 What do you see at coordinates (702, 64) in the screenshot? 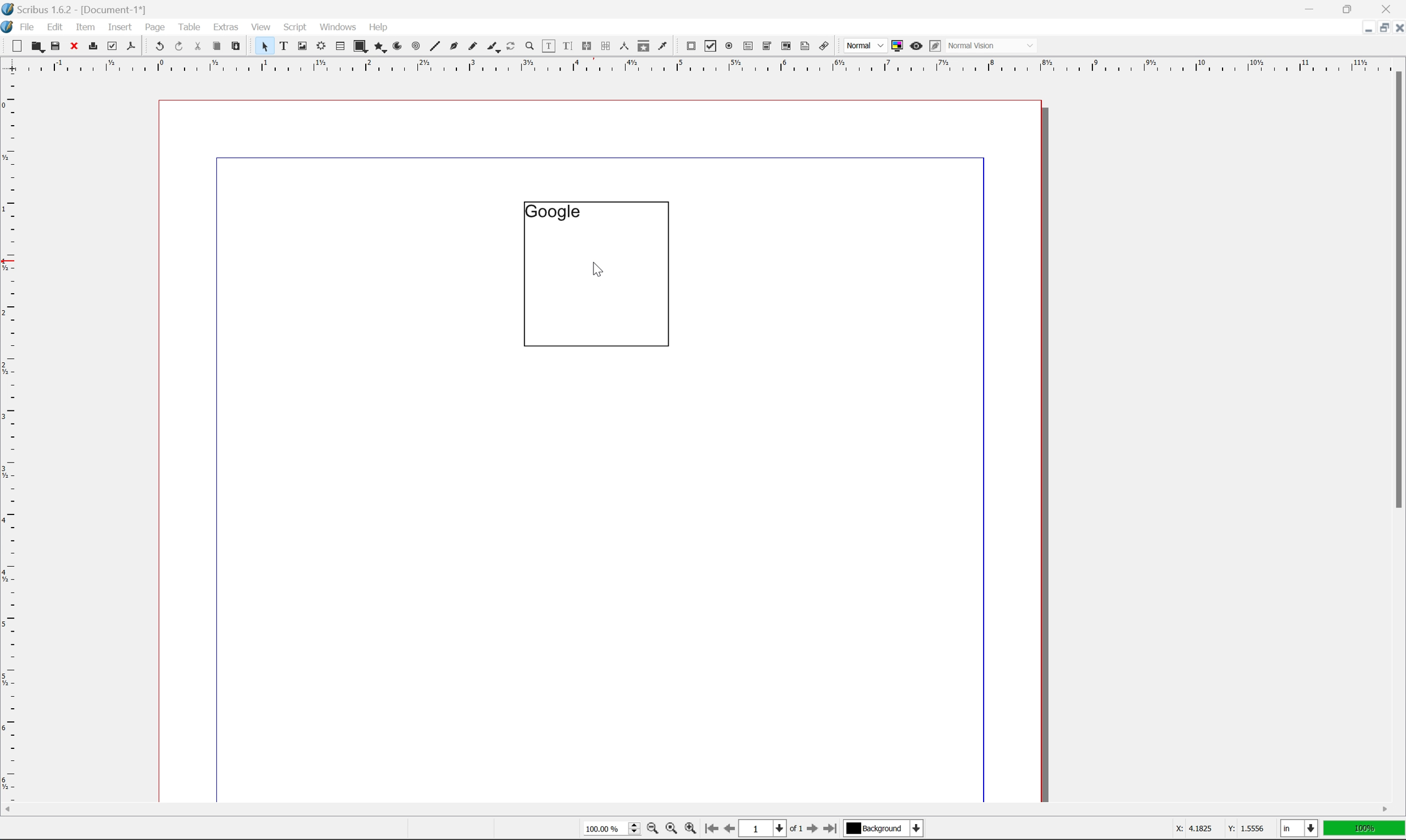
I see `ruler` at bounding box center [702, 64].